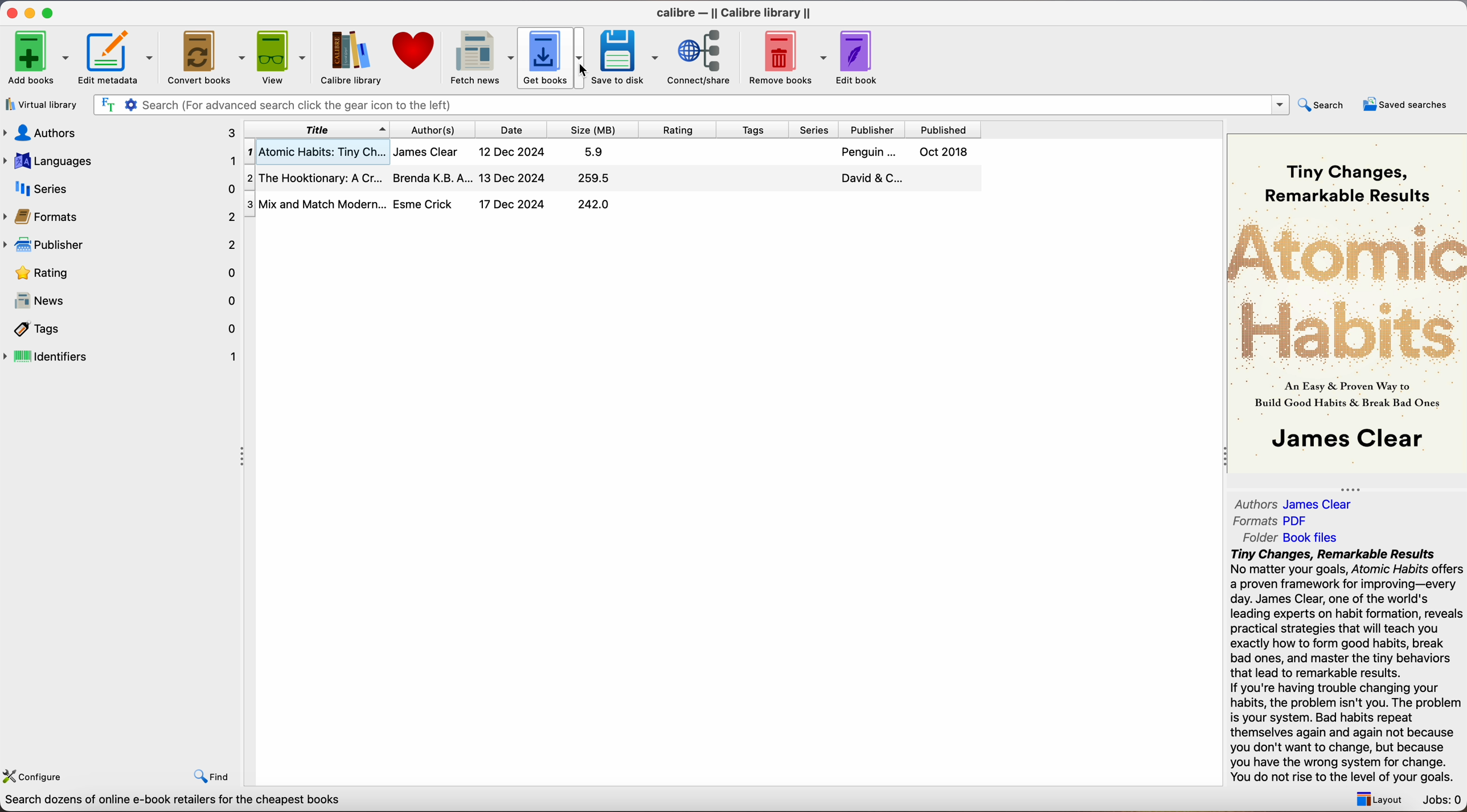  What do you see at coordinates (440, 129) in the screenshot?
I see `authors` at bounding box center [440, 129].